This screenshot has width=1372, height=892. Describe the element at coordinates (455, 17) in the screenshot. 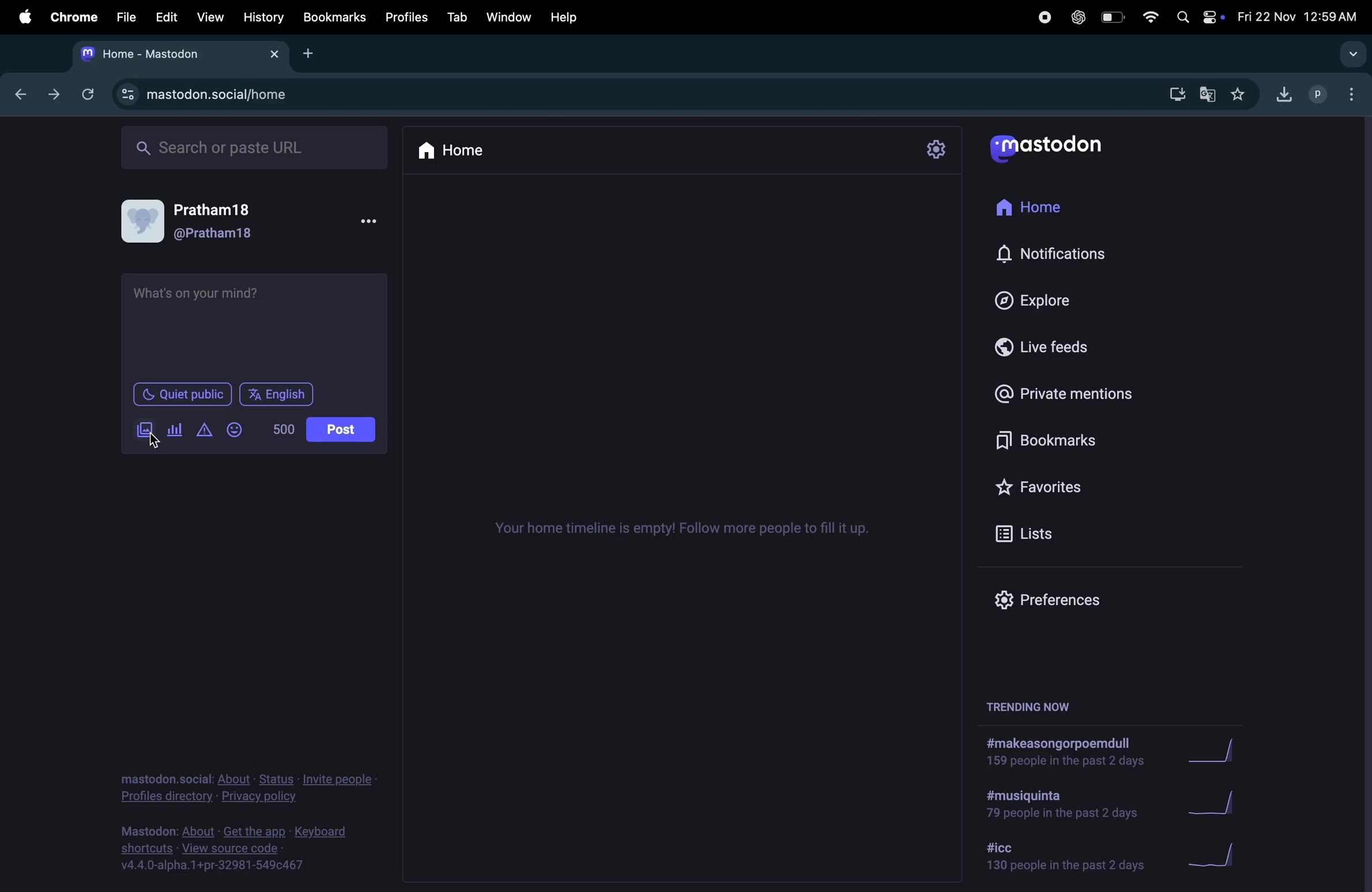

I see `tab` at that location.